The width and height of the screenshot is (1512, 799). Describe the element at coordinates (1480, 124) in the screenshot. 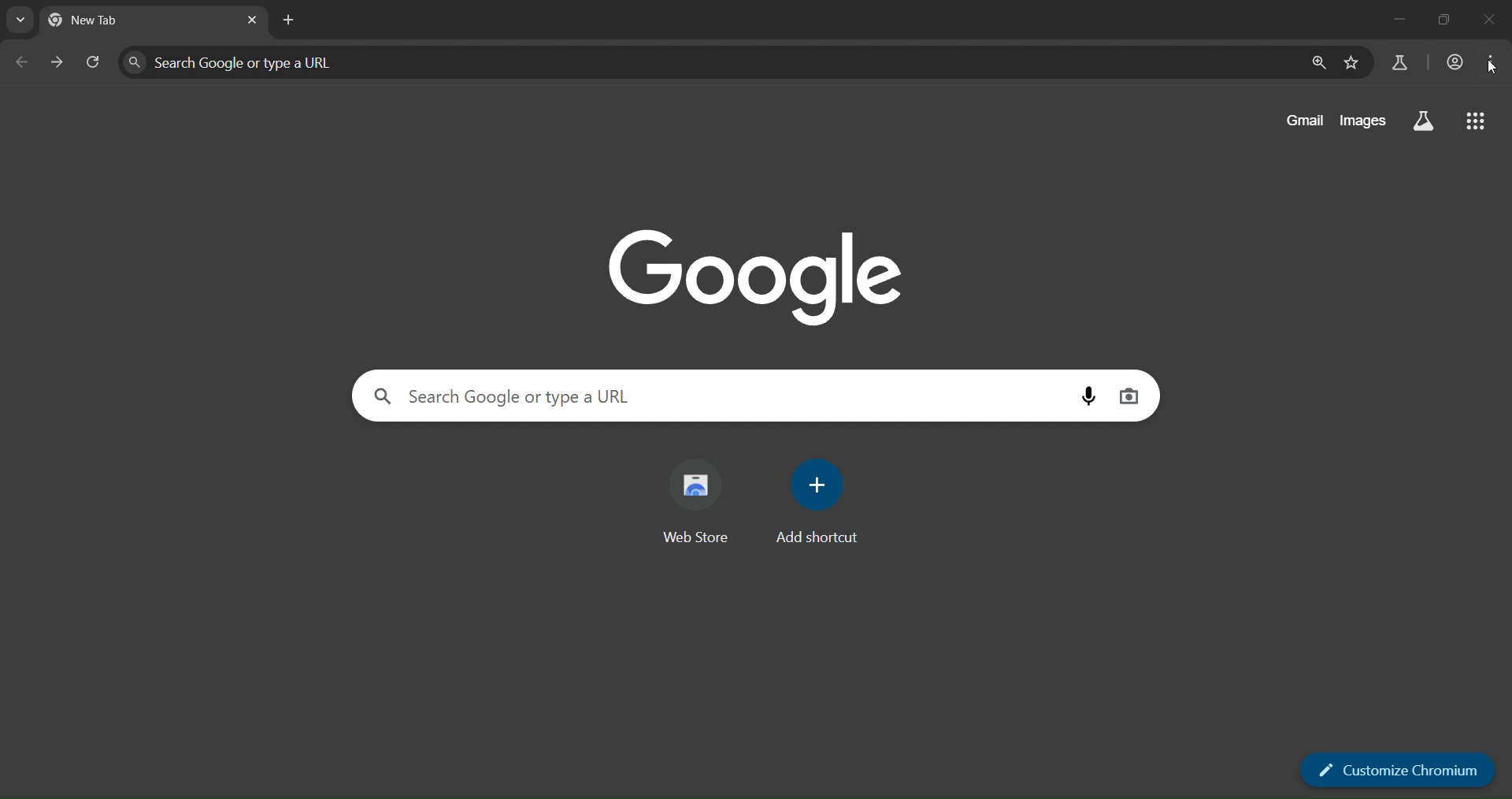

I see `google search` at that location.